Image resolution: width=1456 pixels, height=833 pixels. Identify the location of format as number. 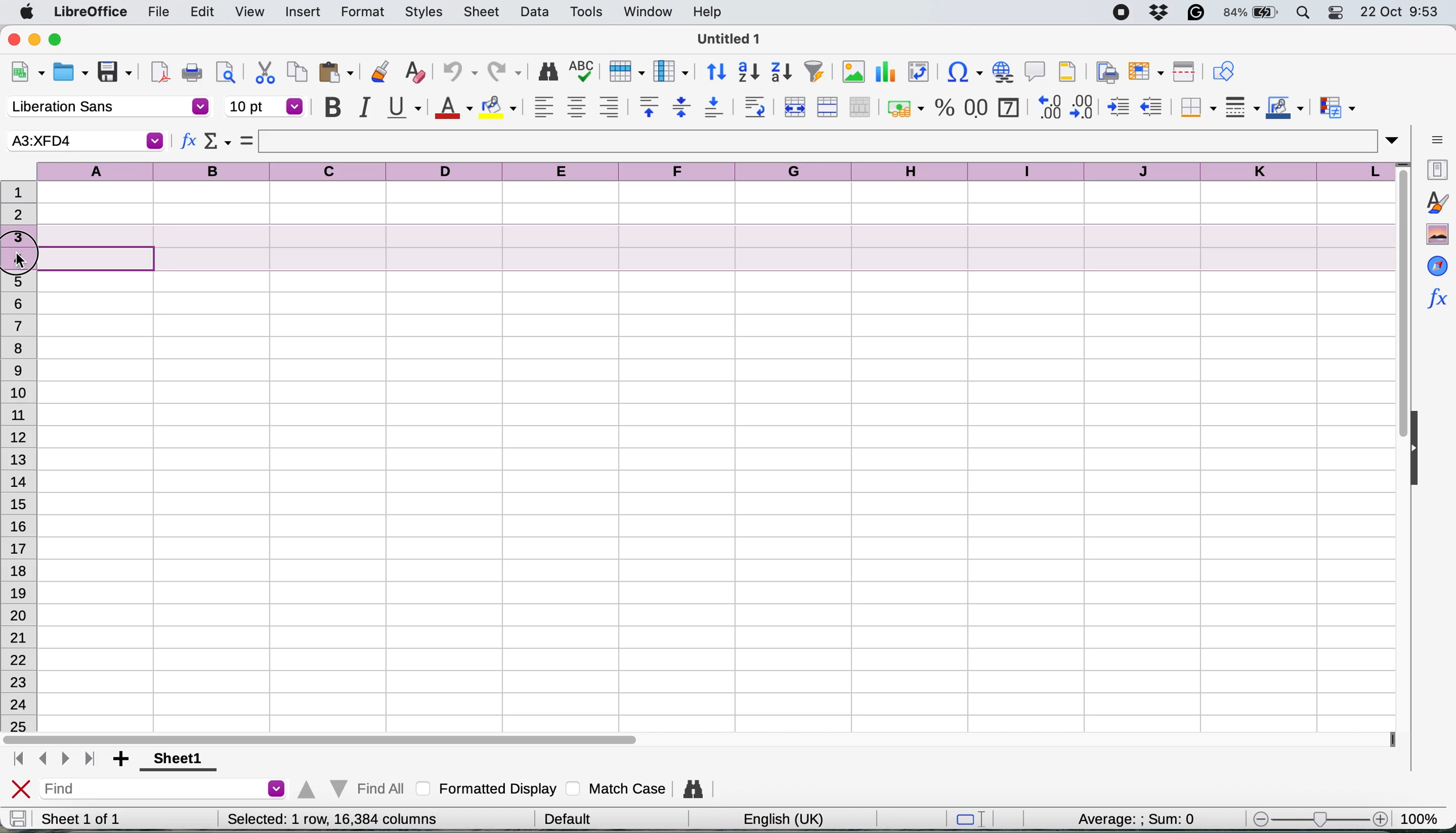
(977, 106).